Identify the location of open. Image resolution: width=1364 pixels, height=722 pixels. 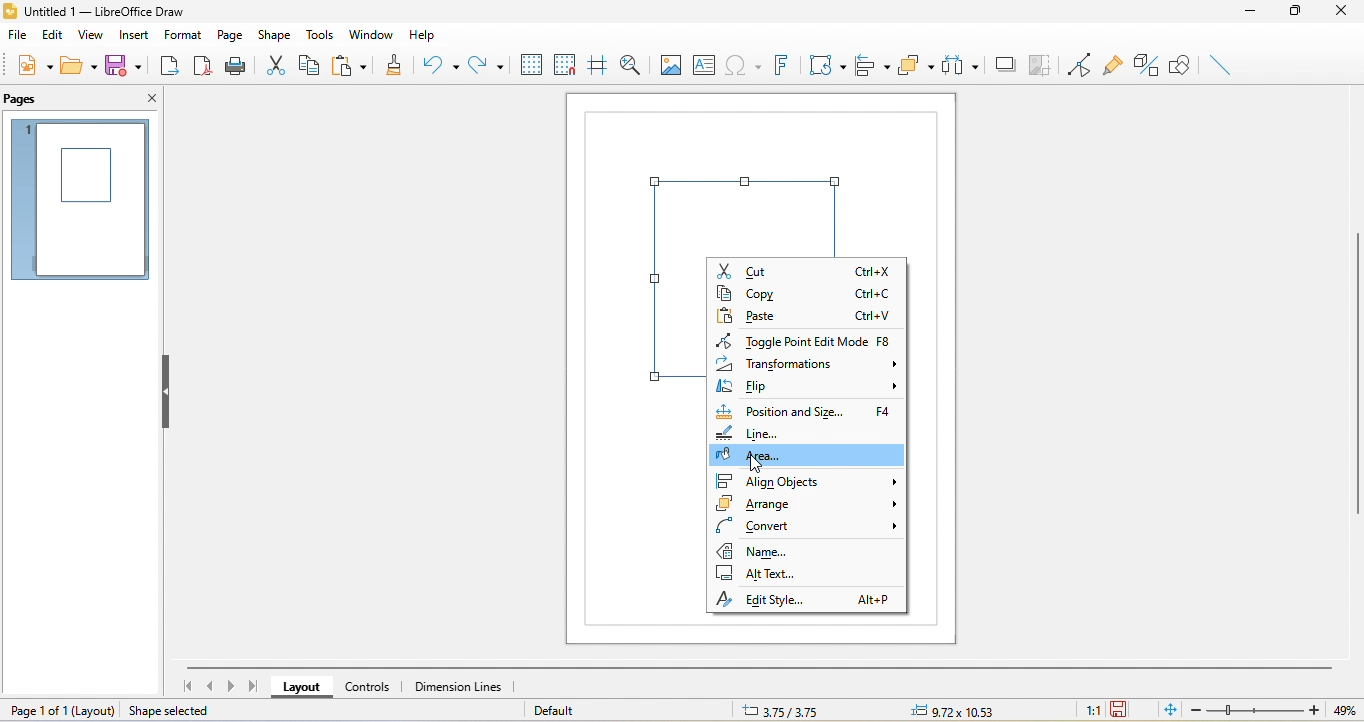
(76, 65).